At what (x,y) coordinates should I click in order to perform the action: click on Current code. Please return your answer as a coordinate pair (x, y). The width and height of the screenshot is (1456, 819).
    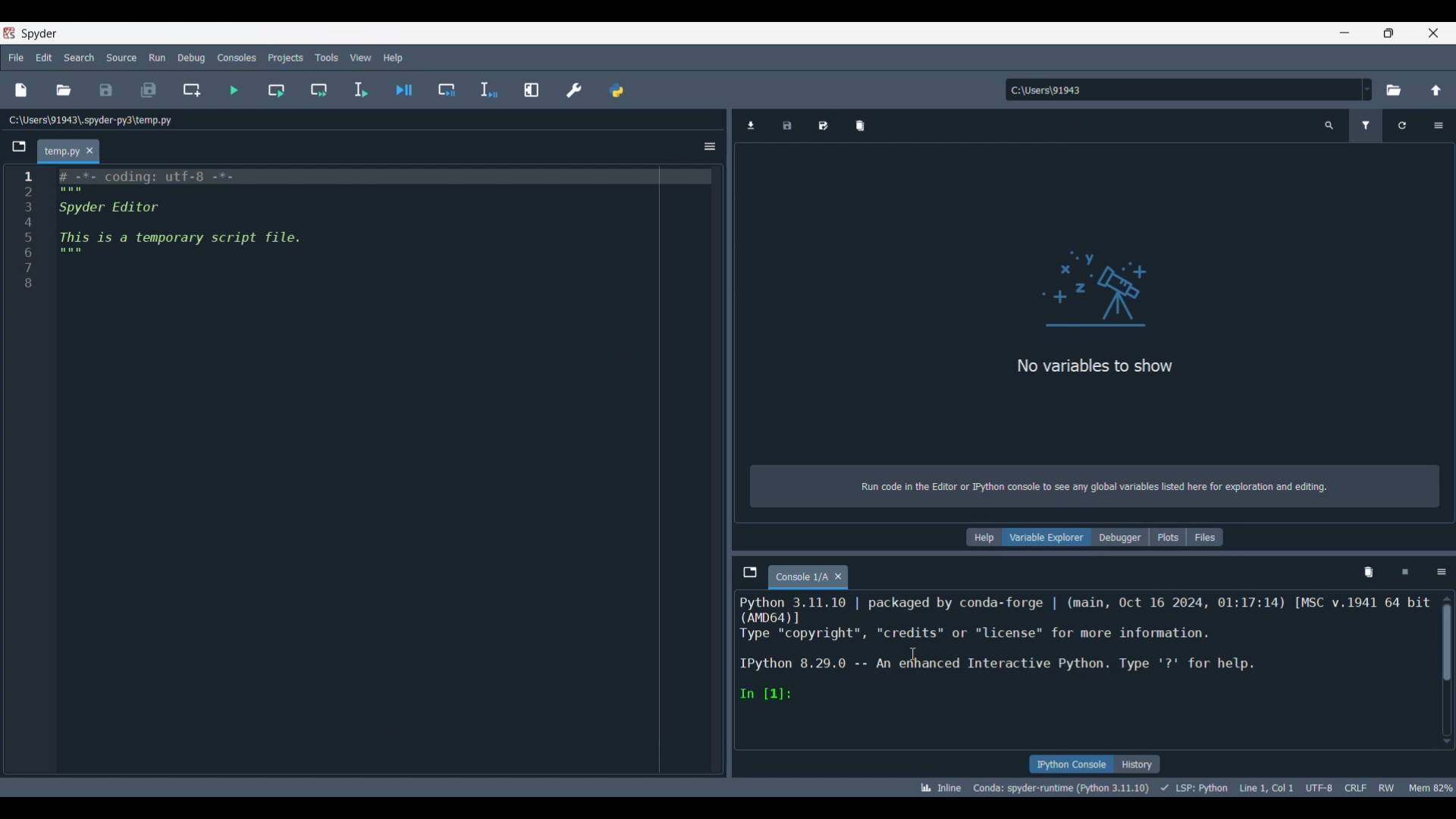
    Looking at the image, I should click on (361, 231).